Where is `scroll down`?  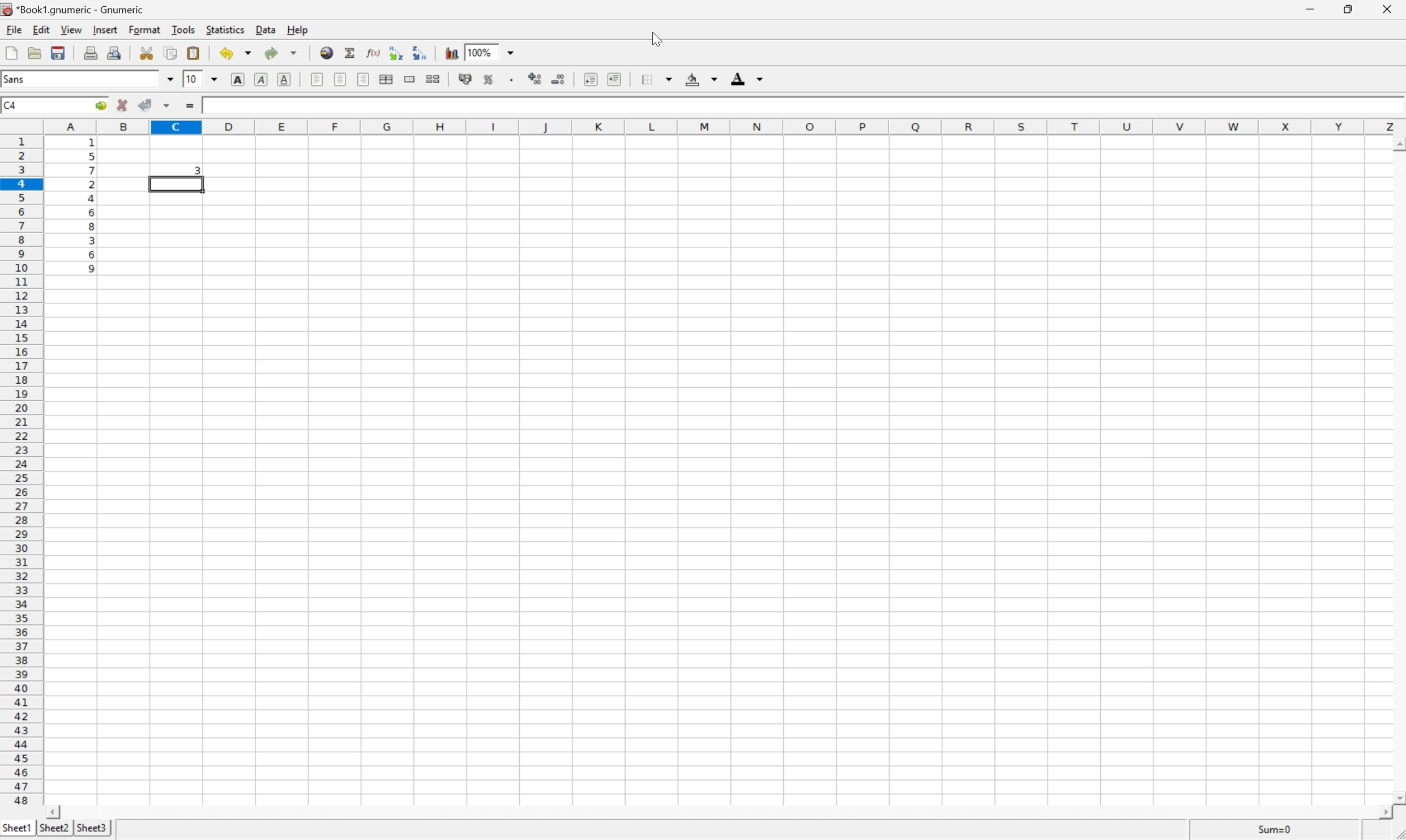
scroll down is located at coordinates (1397, 797).